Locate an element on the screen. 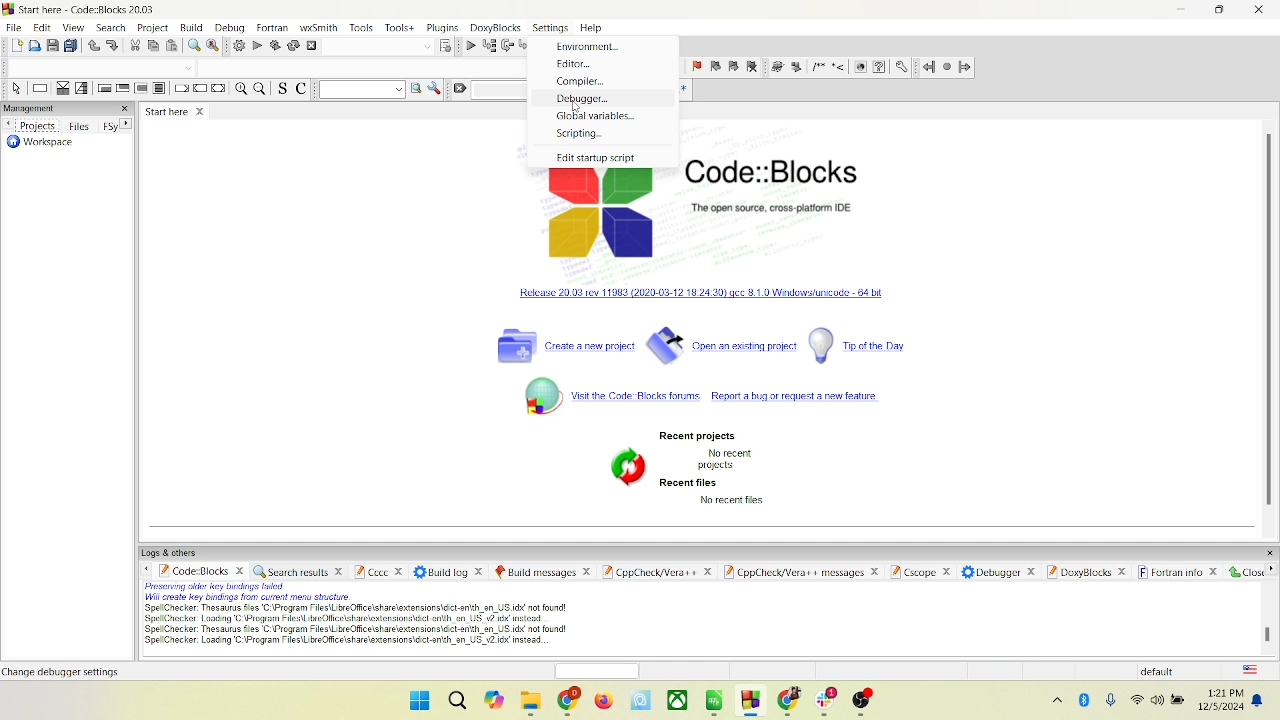 Image resolution: width=1280 pixels, height=720 pixels. last jump is located at coordinates (947, 67).